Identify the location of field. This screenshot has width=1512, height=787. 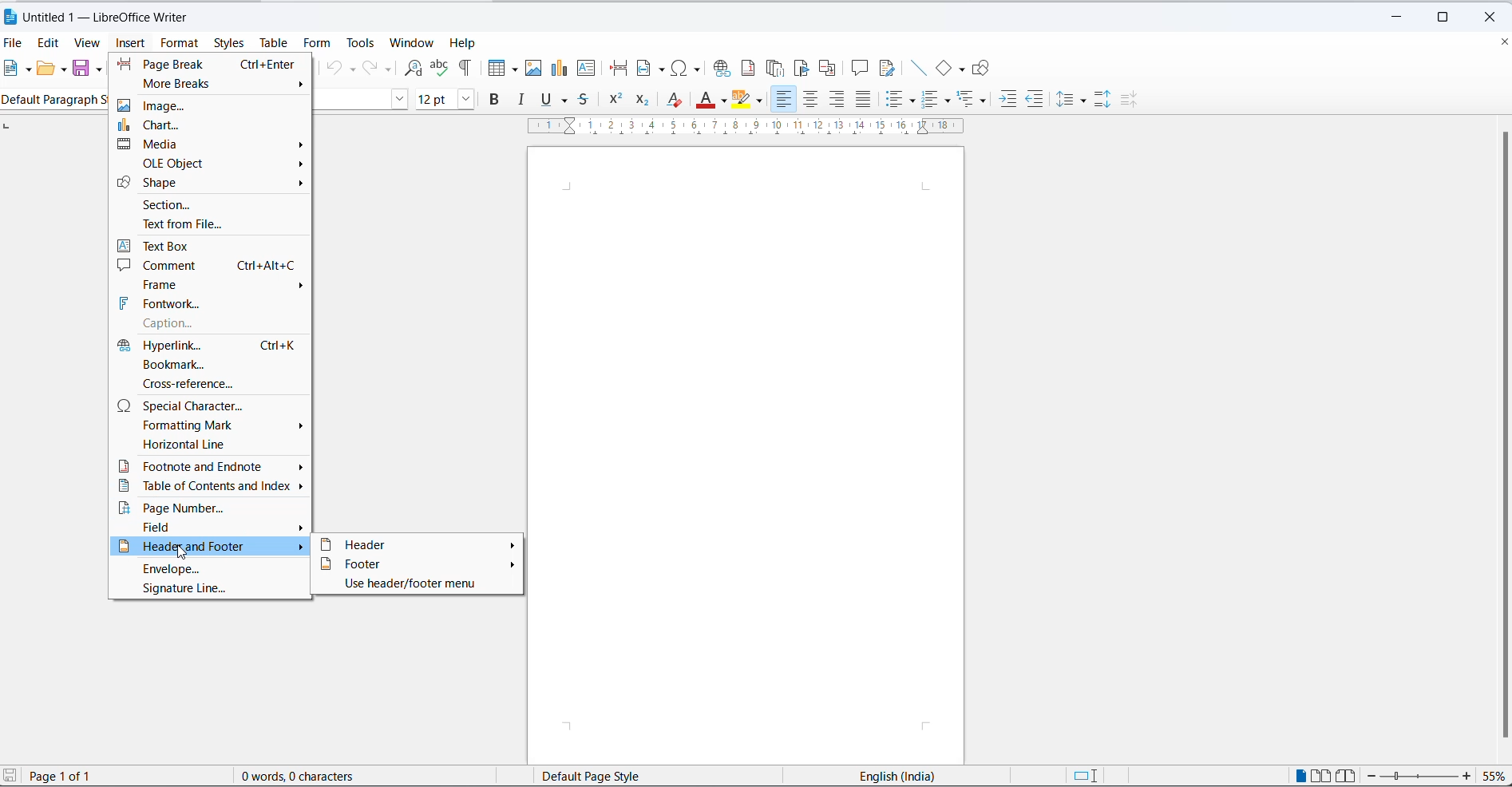
(208, 526).